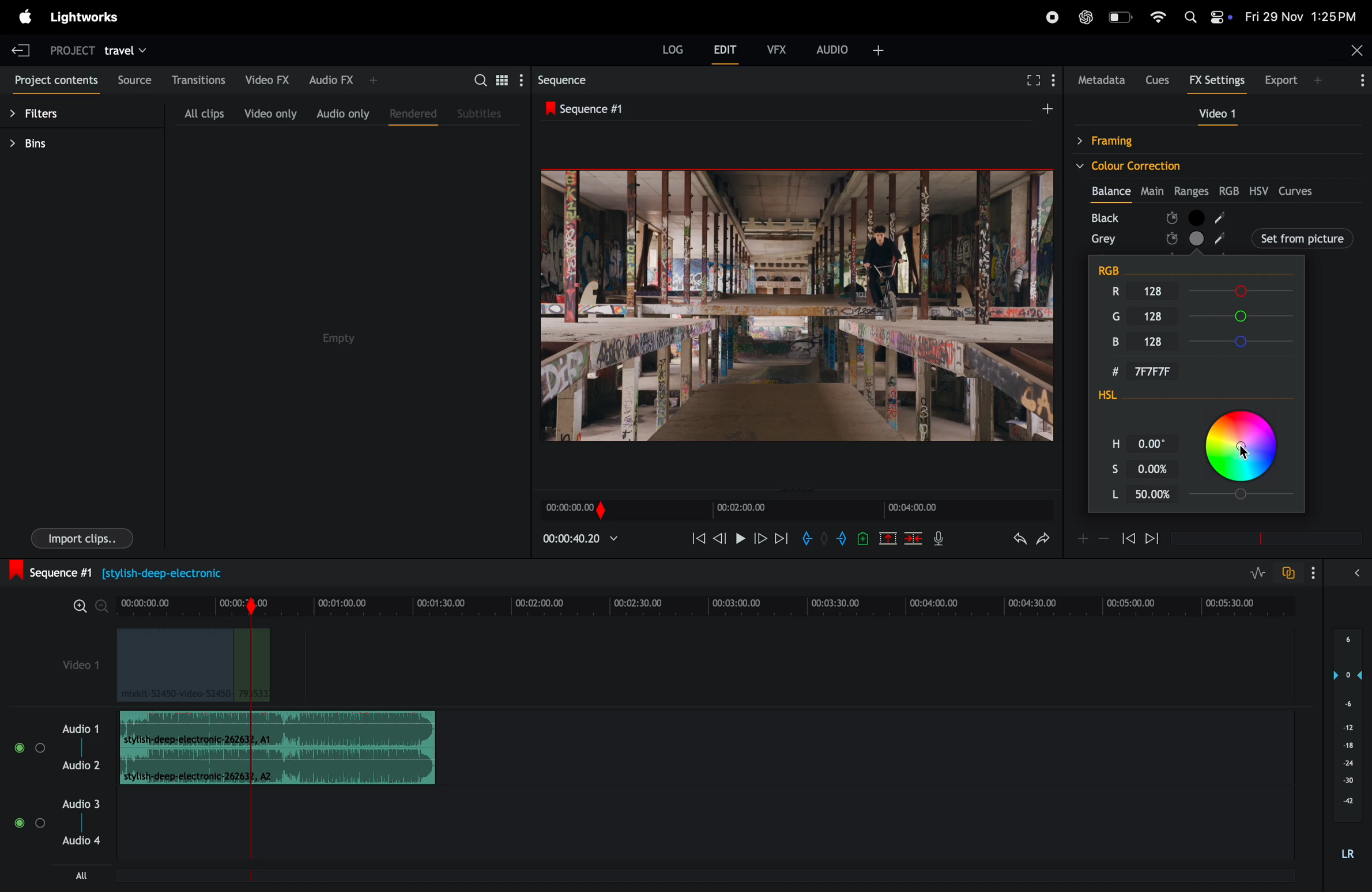  I want to click on B Slider, so click(1245, 341).